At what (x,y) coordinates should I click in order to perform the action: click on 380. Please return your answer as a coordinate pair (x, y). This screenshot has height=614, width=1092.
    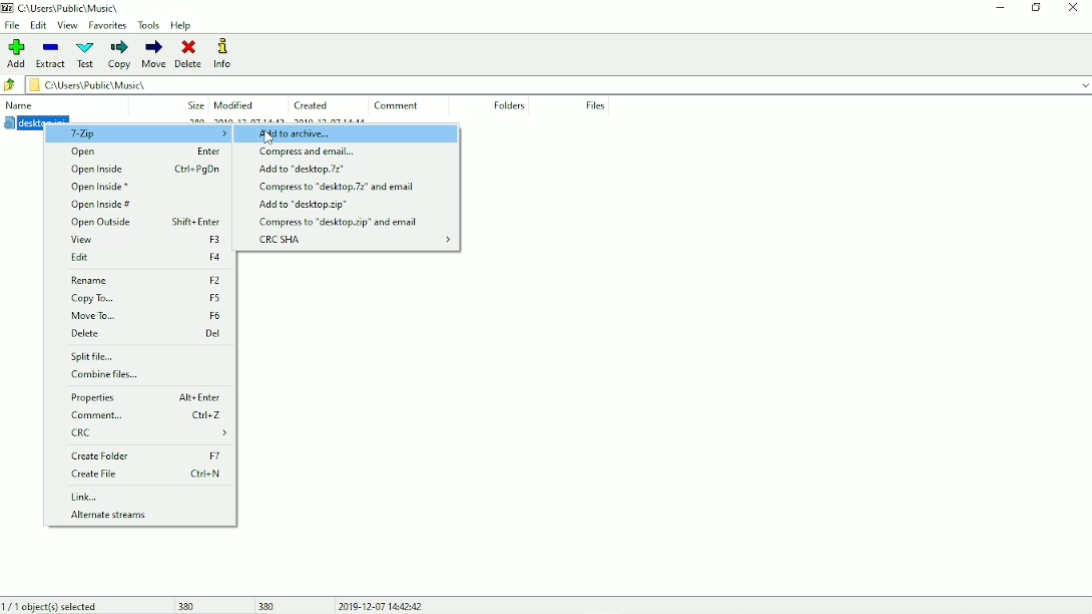
    Looking at the image, I should click on (187, 604).